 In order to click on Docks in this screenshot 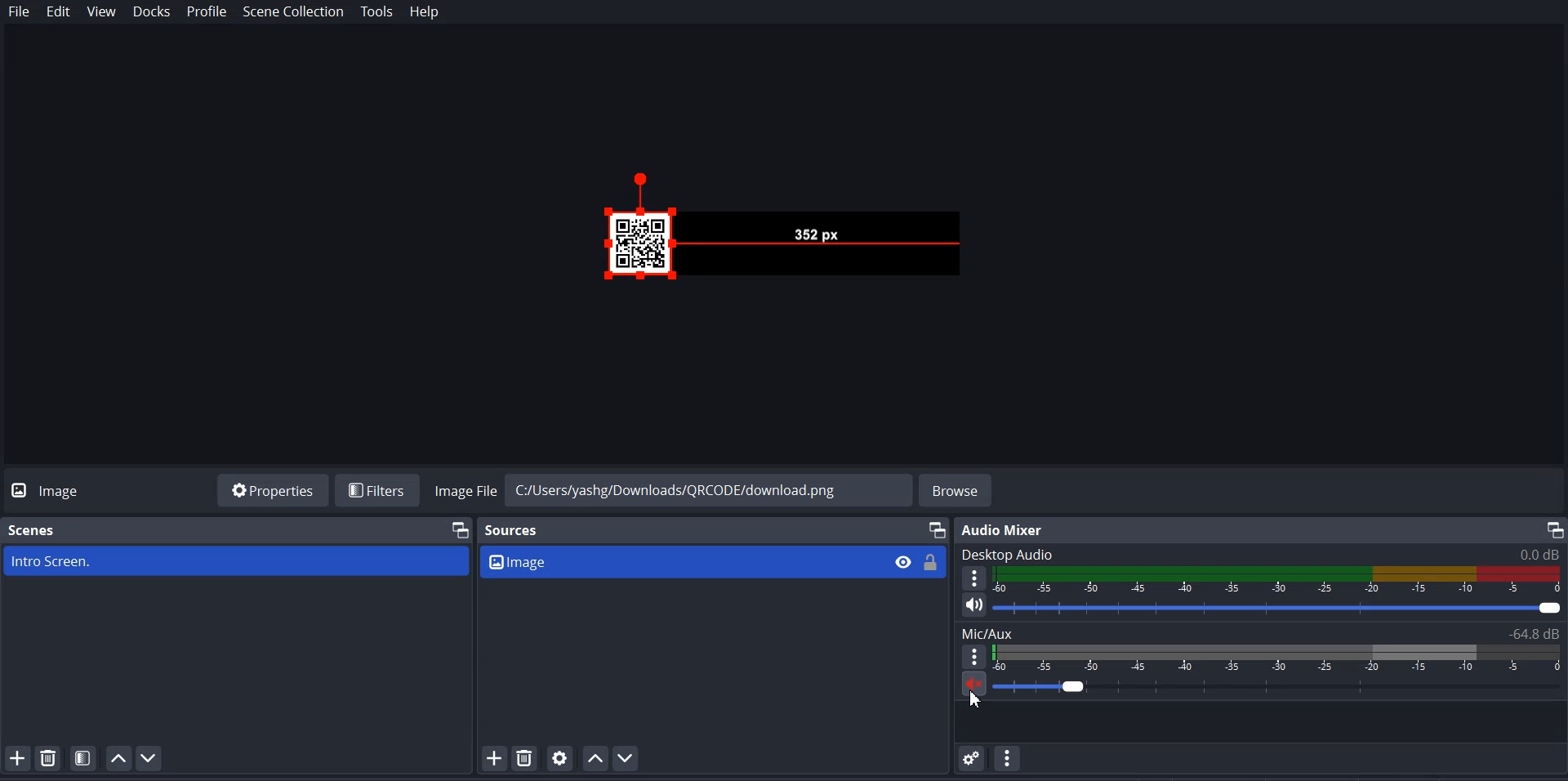, I will do `click(151, 11)`.